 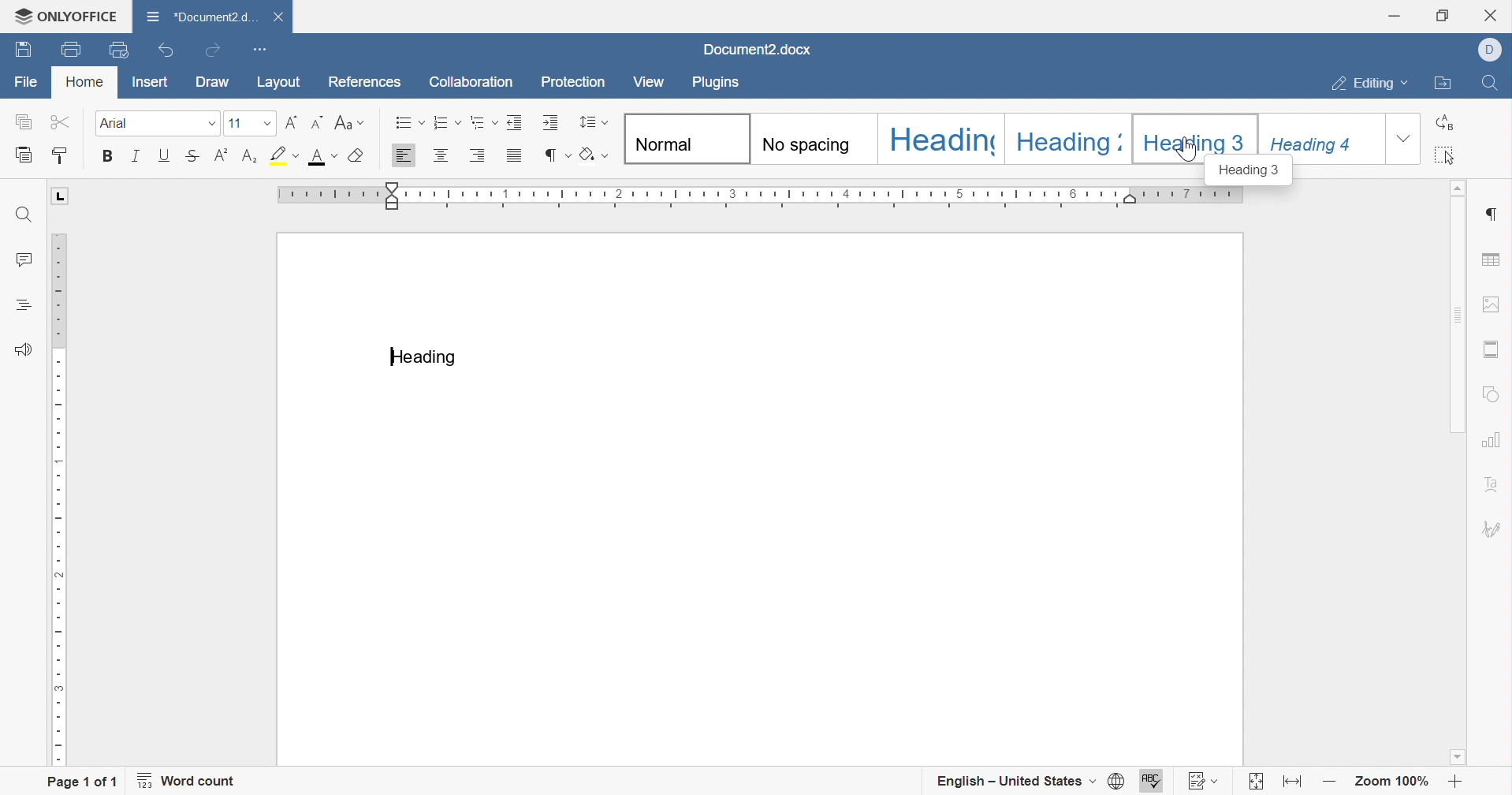 What do you see at coordinates (1327, 784) in the screenshot?
I see `Zoom out` at bounding box center [1327, 784].